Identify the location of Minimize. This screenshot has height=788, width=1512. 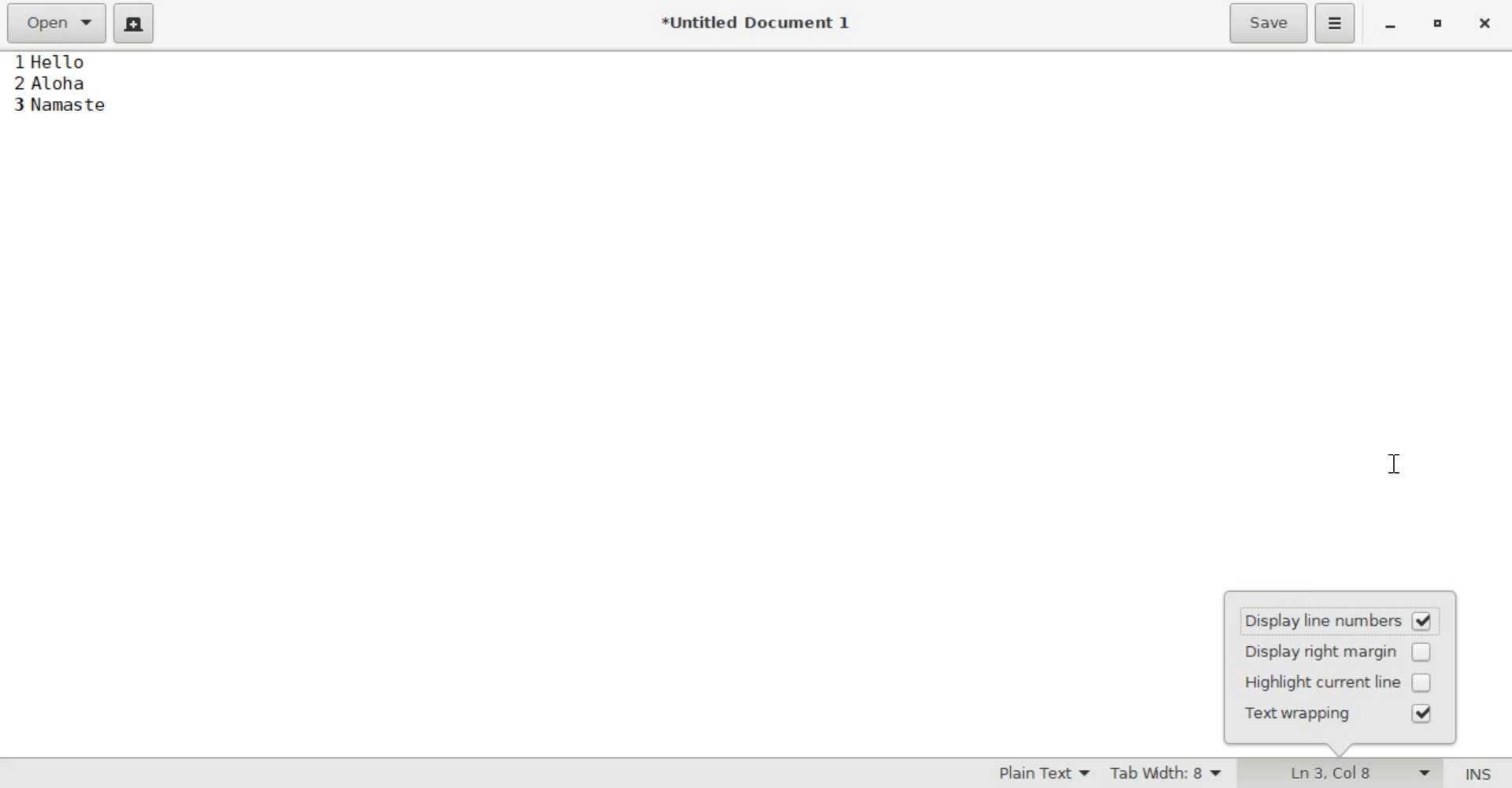
(1389, 27).